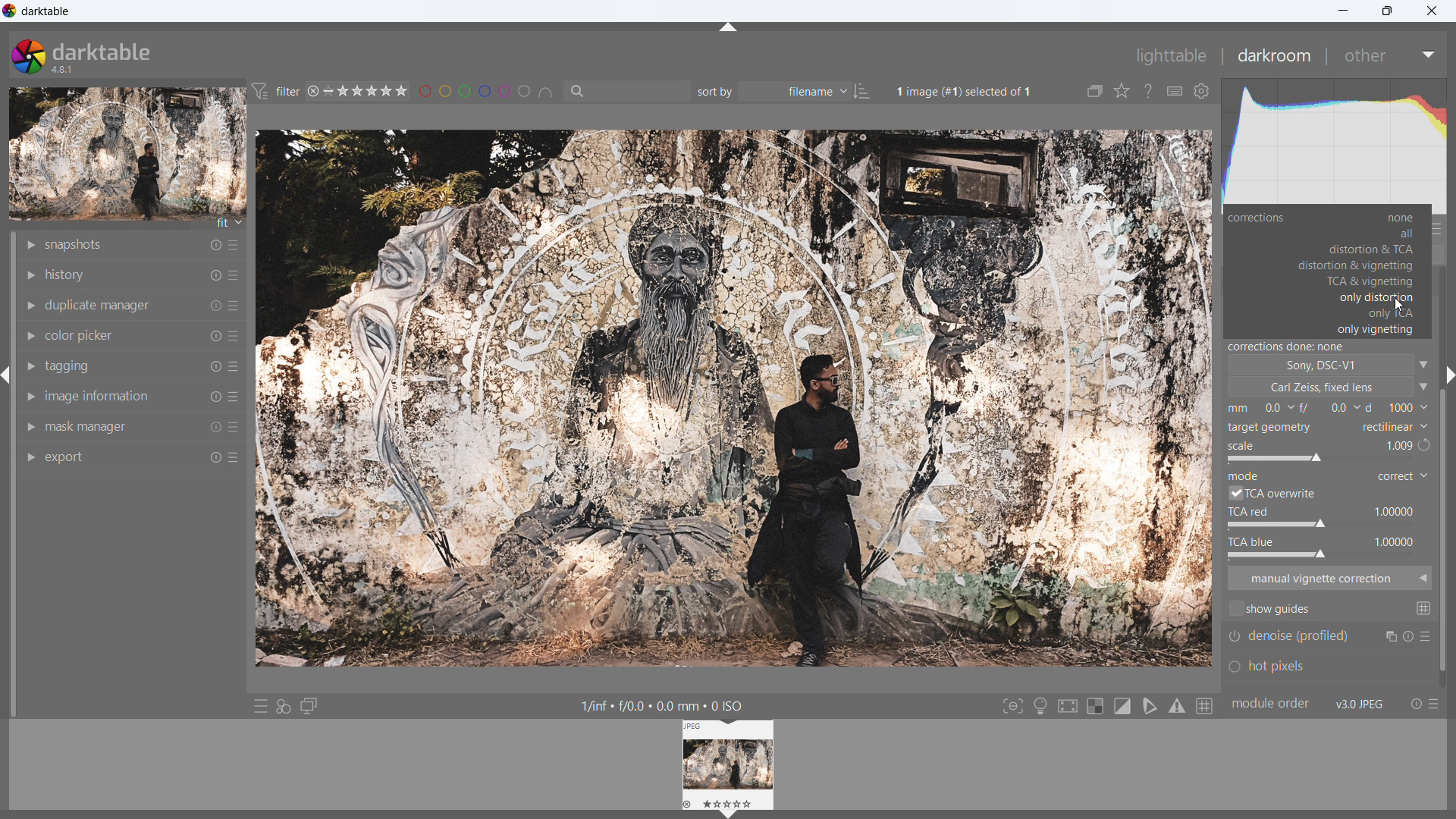 This screenshot has height=819, width=1456. I want to click on presets, so click(1438, 704).